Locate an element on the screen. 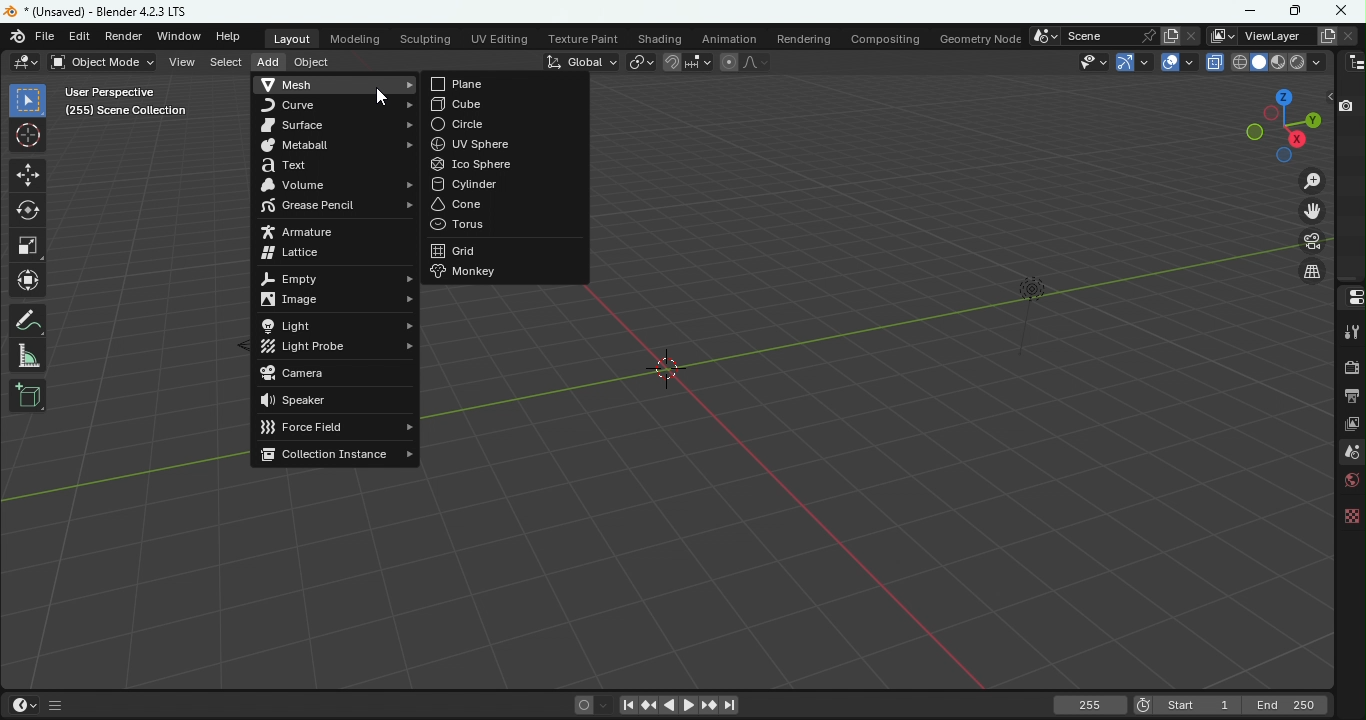 The height and width of the screenshot is (720, 1366). Geometry node is located at coordinates (979, 37).